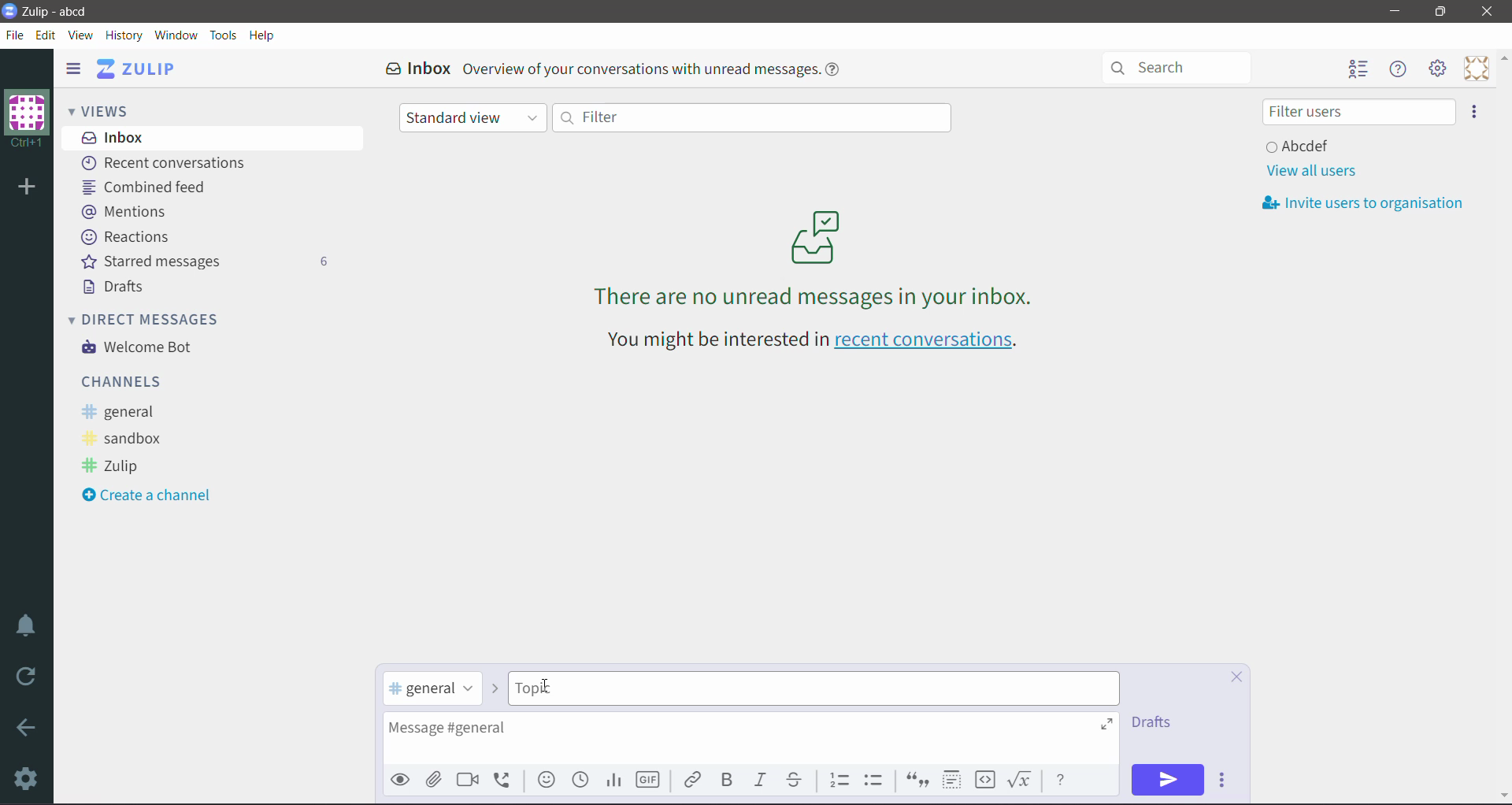  I want to click on Minimize, so click(1395, 11).